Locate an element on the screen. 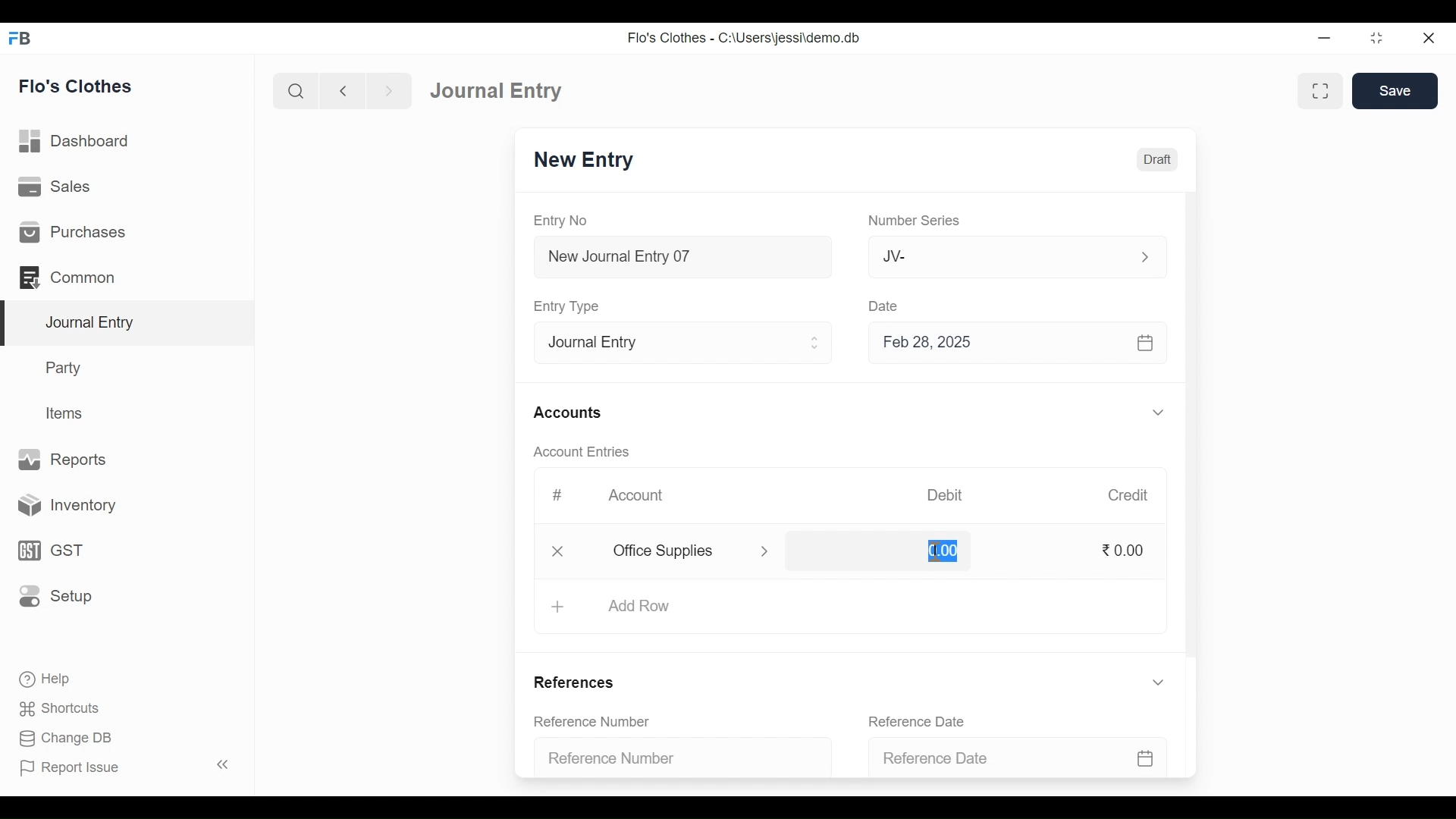  Feb 28, 2025 is located at coordinates (1011, 345).